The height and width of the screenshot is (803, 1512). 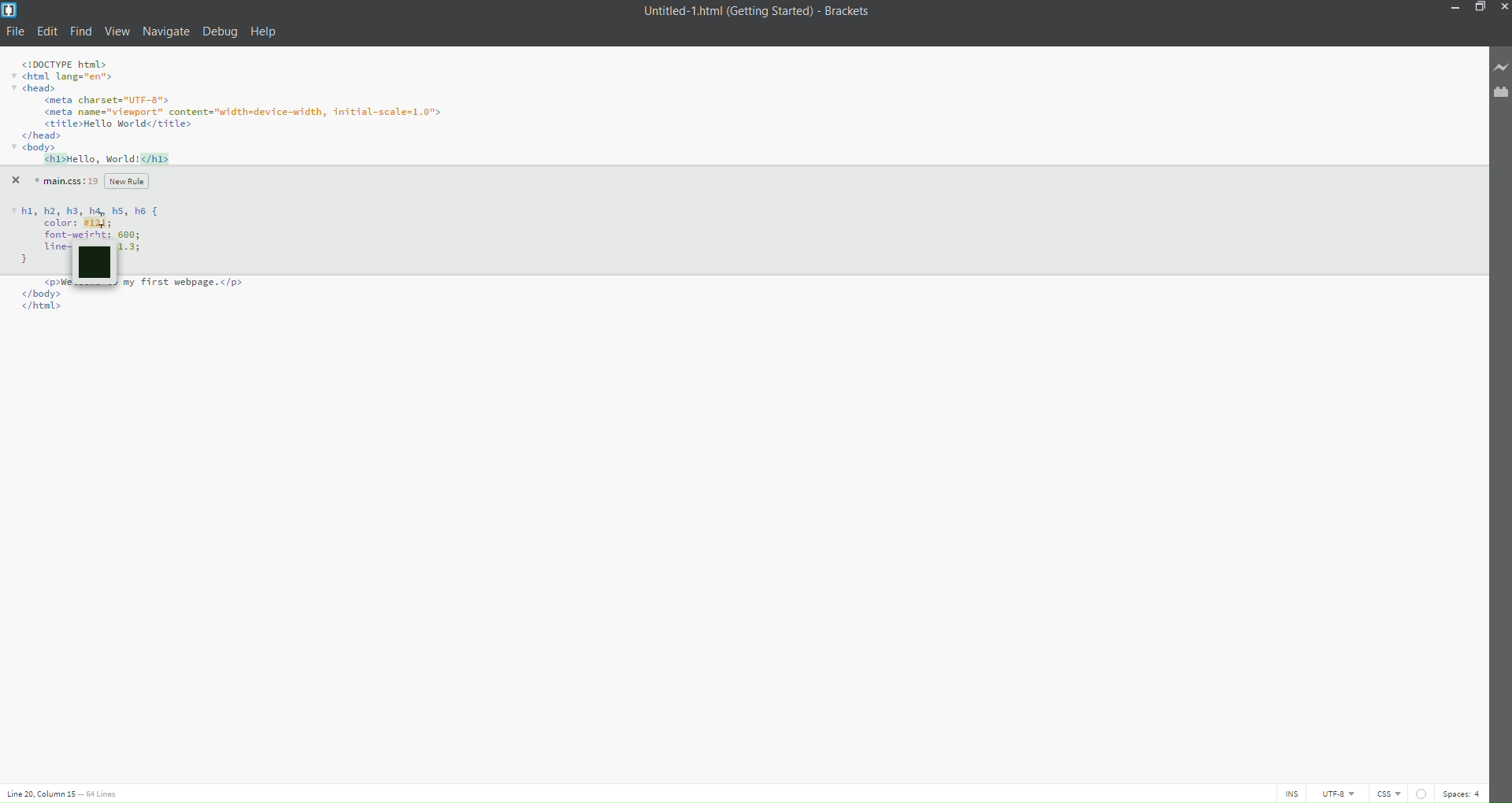 I want to click on debug, so click(x=219, y=35).